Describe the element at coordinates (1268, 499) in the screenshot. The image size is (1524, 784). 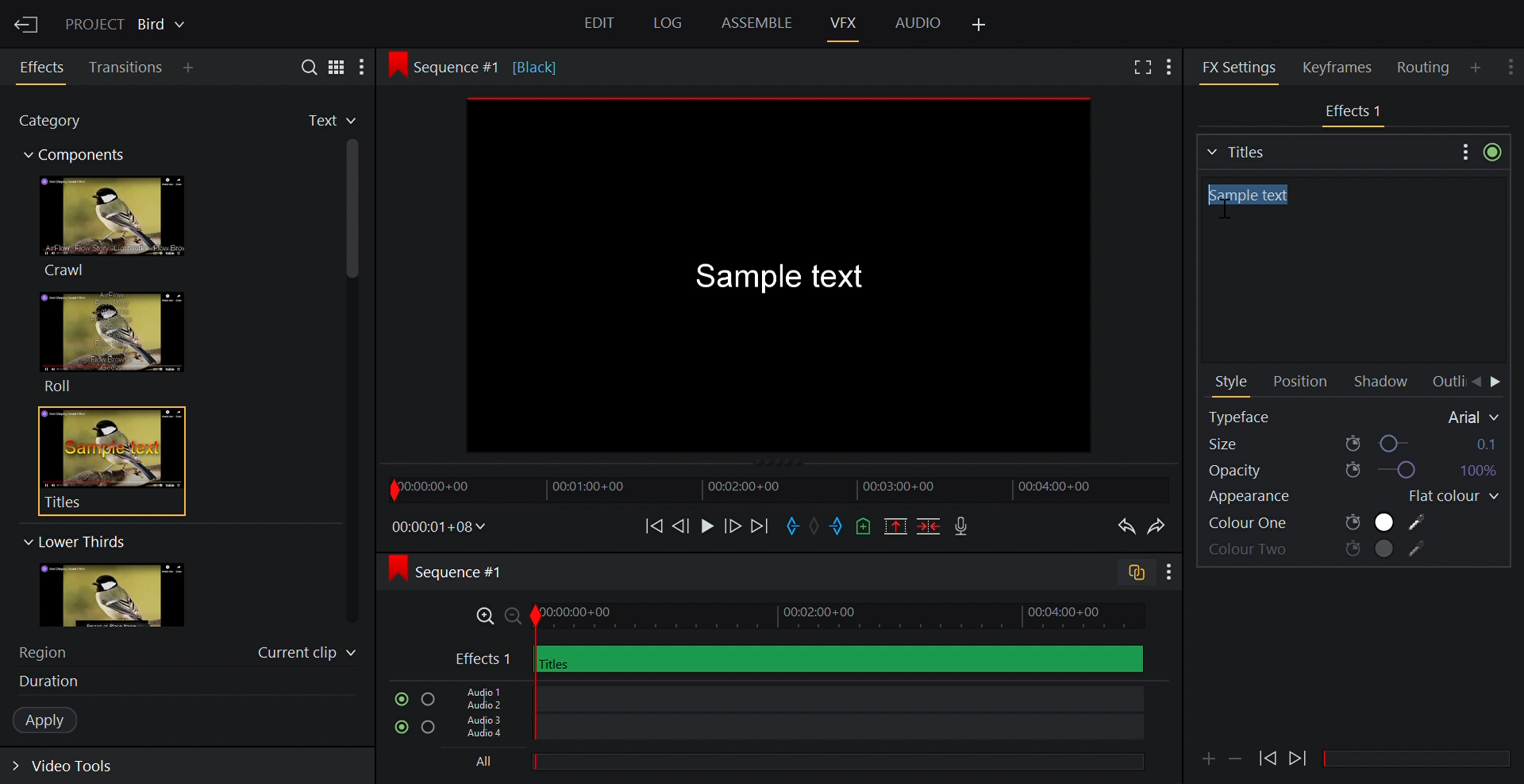
I see `Appearance` at that location.